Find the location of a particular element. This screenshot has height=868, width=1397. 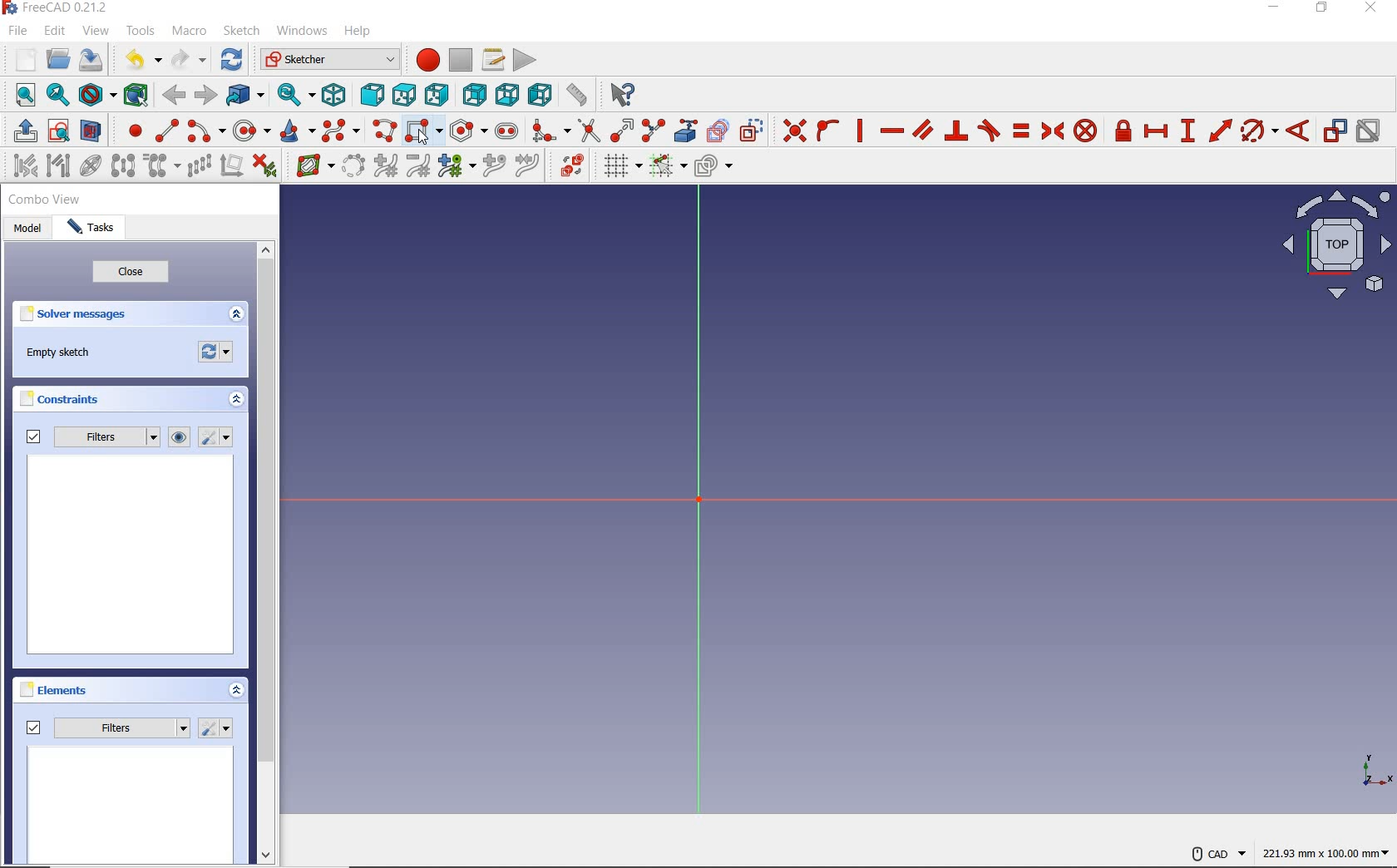

increase B-Spline degree is located at coordinates (385, 167).